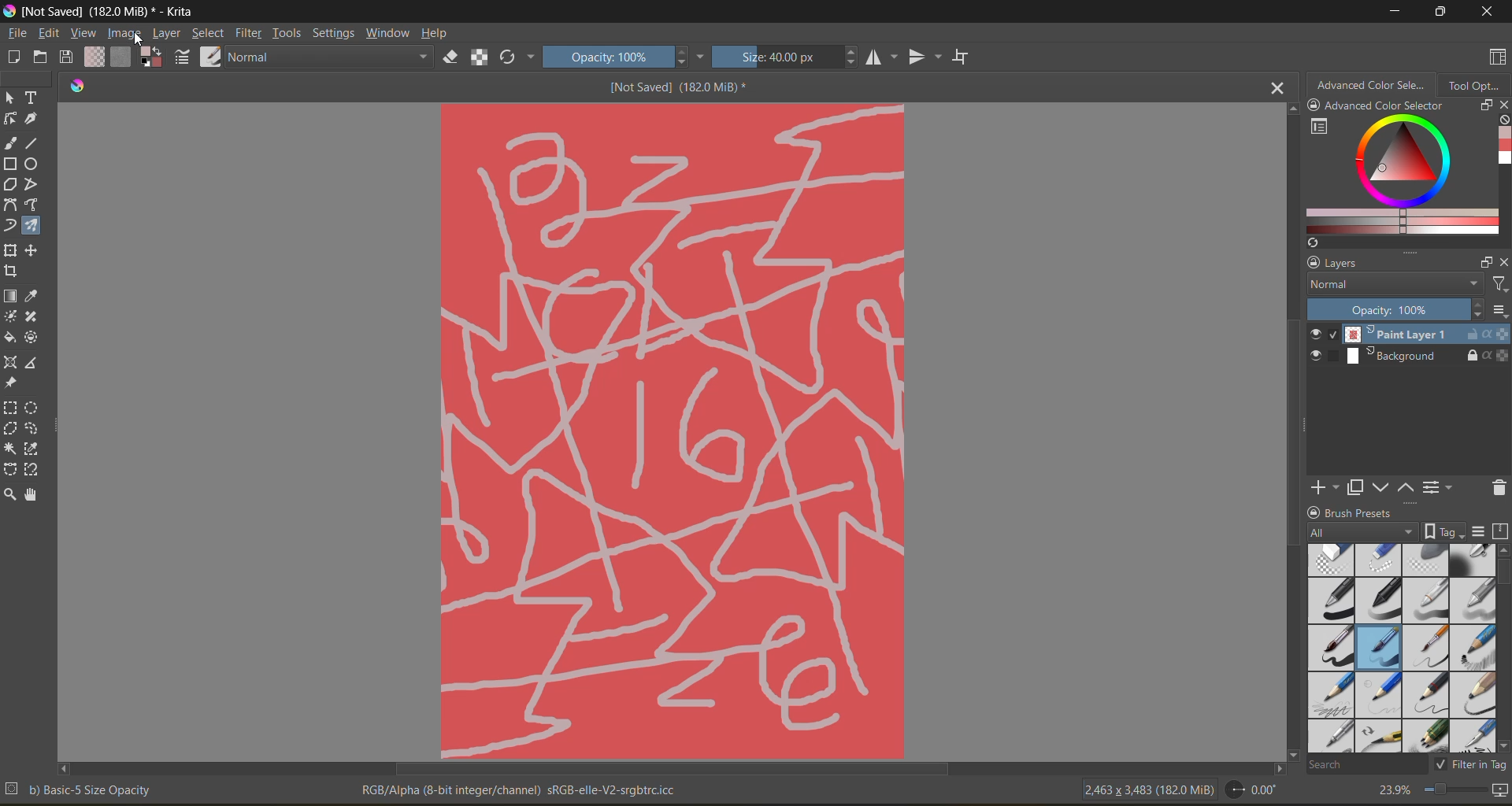 This screenshot has width=1512, height=806. Describe the element at coordinates (1151, 789) in the screenshot. I see `image metadata` at that location.